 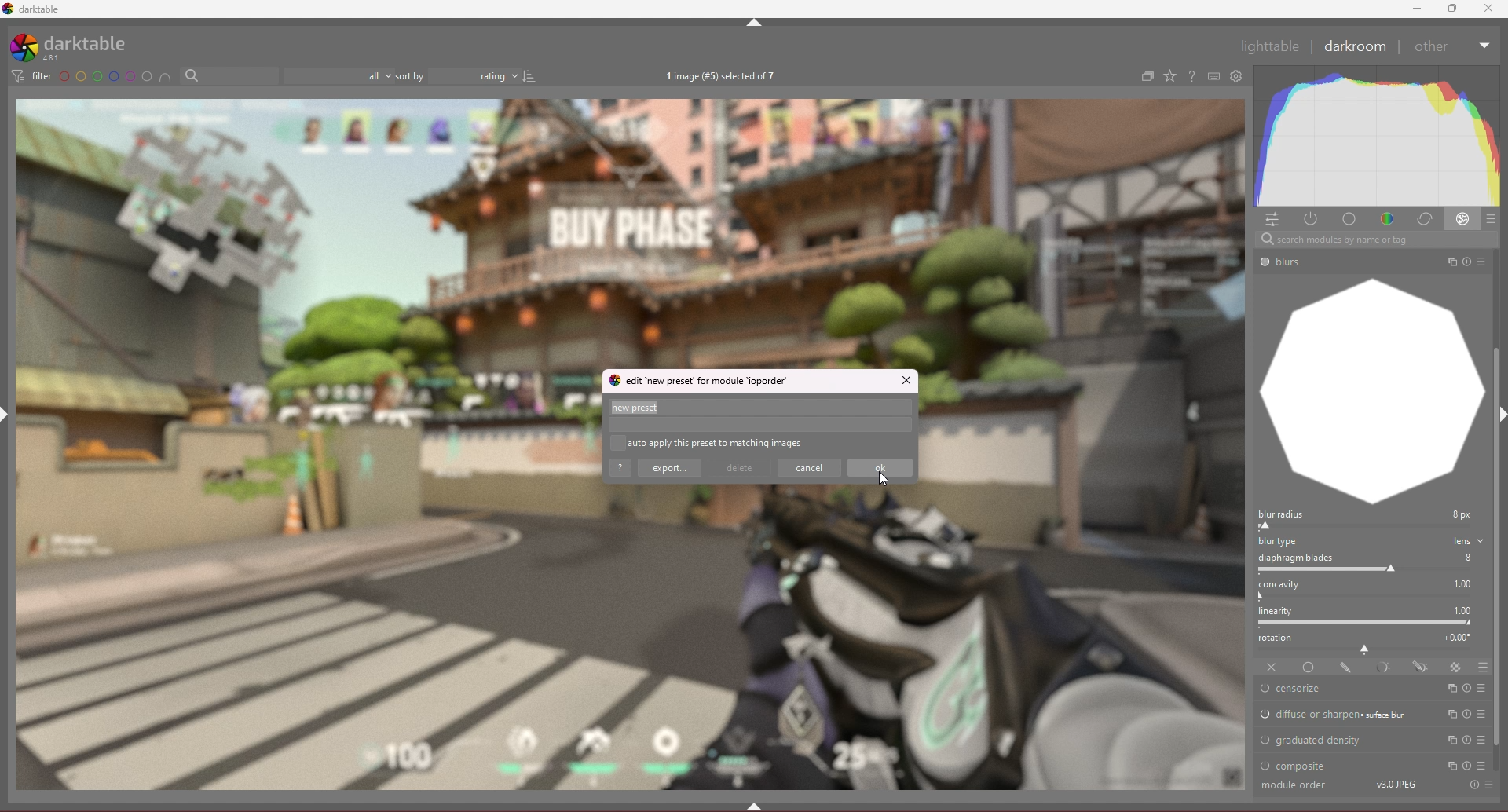 I want to click on resize, so click(x=1451, y=9).